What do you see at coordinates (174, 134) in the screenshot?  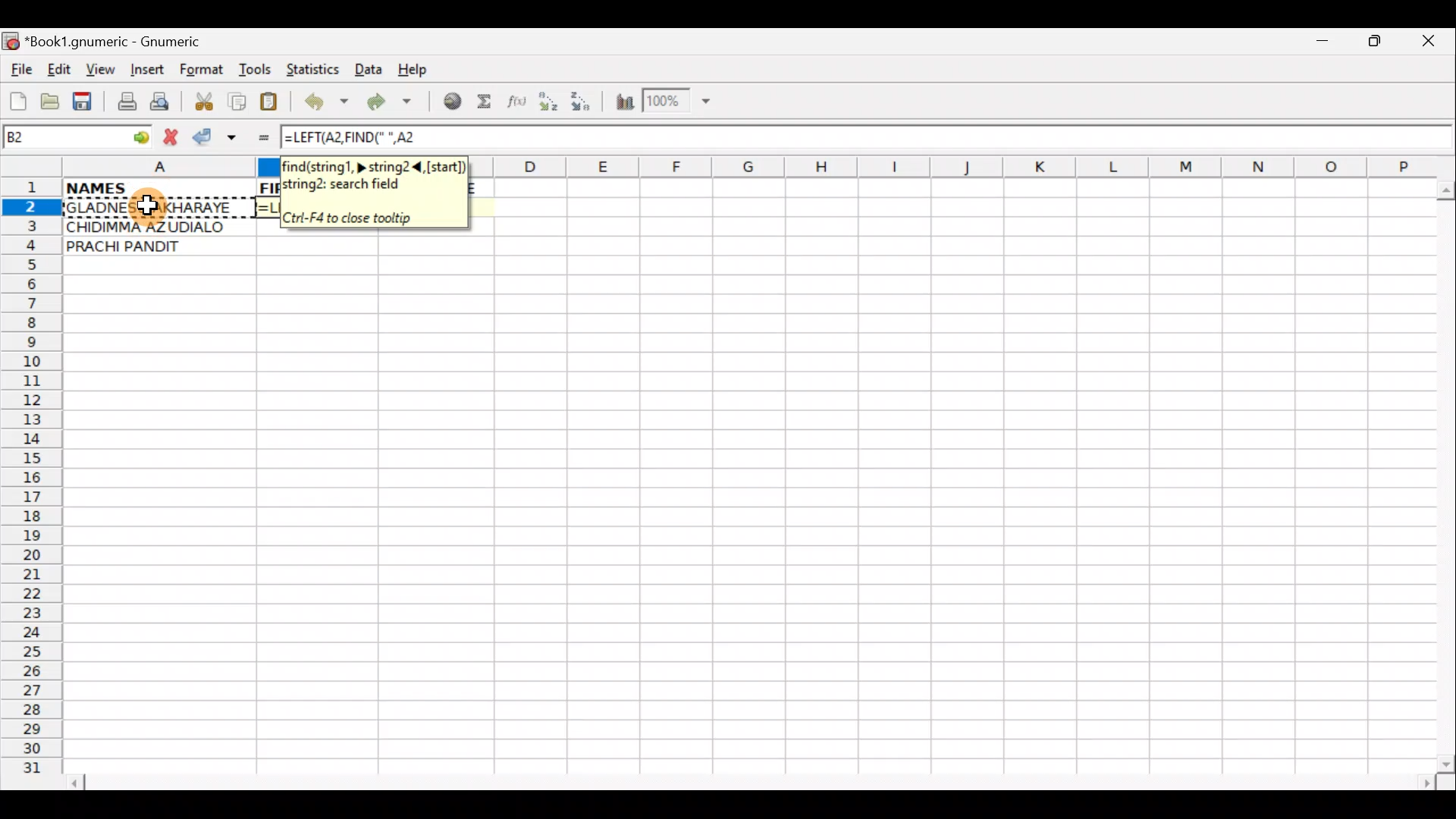 I see `Cancel change` at bounding box center [174, 134].